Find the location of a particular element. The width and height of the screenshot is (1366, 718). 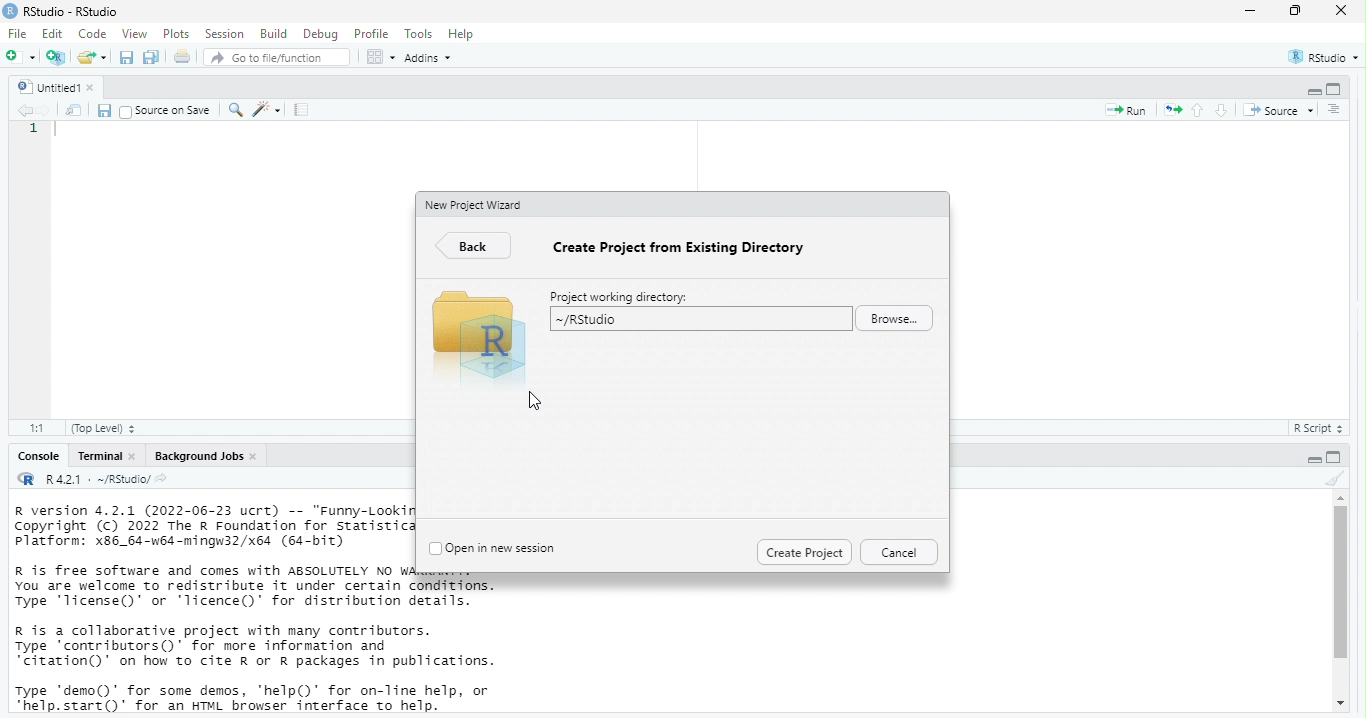

move down is located at coordinates (1345, 703).